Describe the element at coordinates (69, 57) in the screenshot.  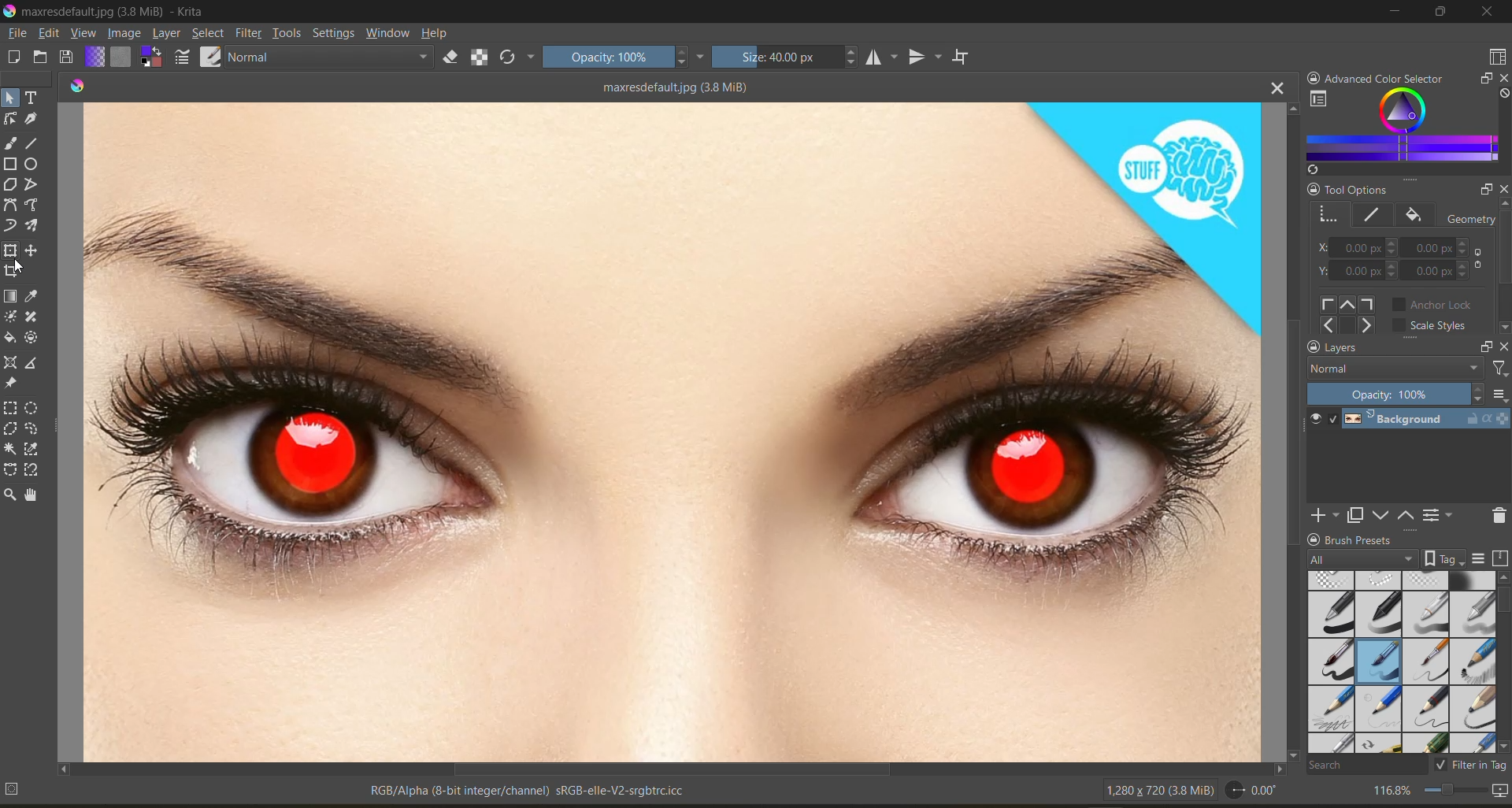
I see `save` at that location.